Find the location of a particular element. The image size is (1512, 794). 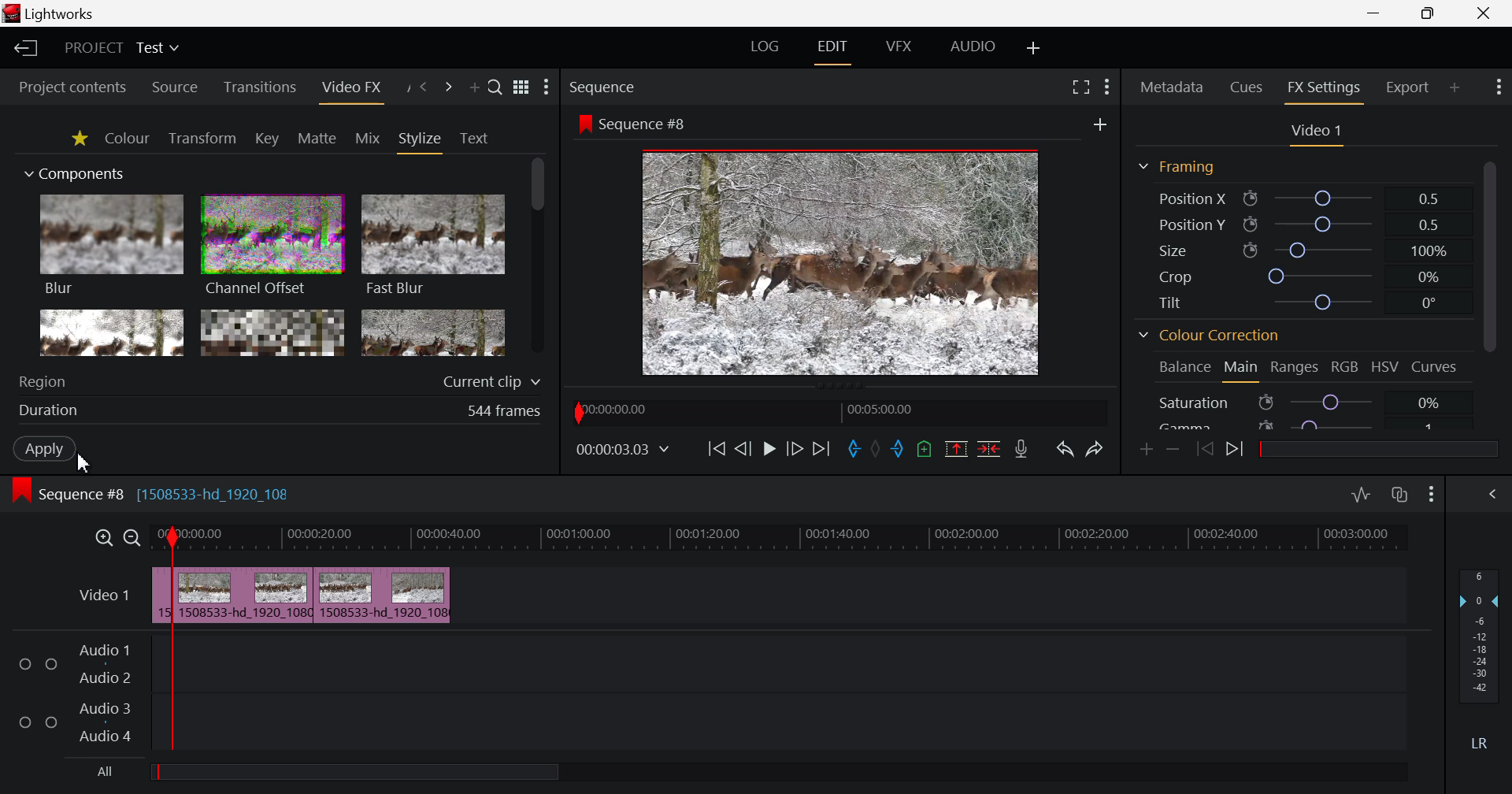

Sequence #8 [1508533-hd_1920_108 is located at coordinates (179, 492).